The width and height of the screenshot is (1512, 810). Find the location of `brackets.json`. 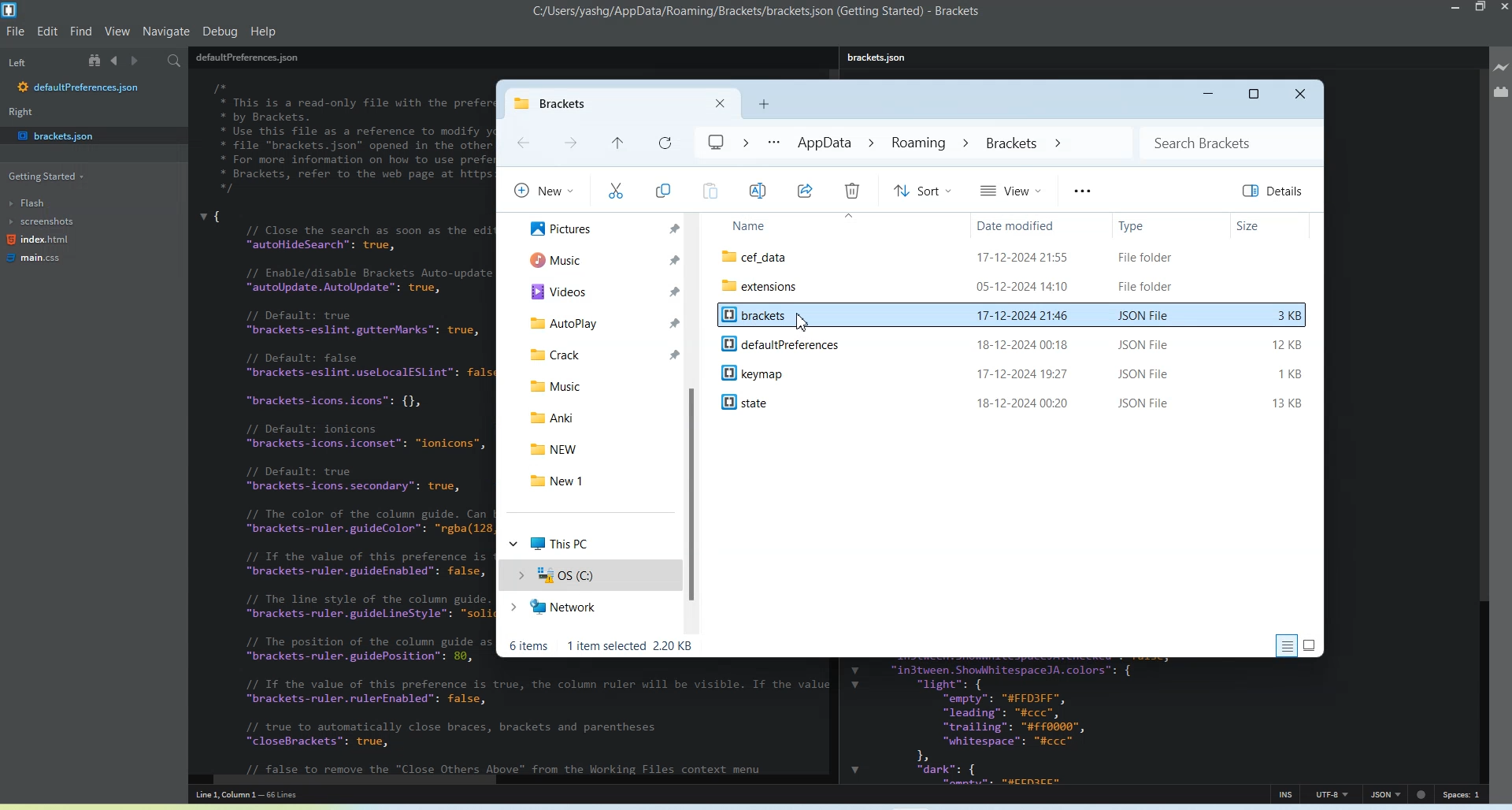

brackets.json is located at coordinates (881, 58).